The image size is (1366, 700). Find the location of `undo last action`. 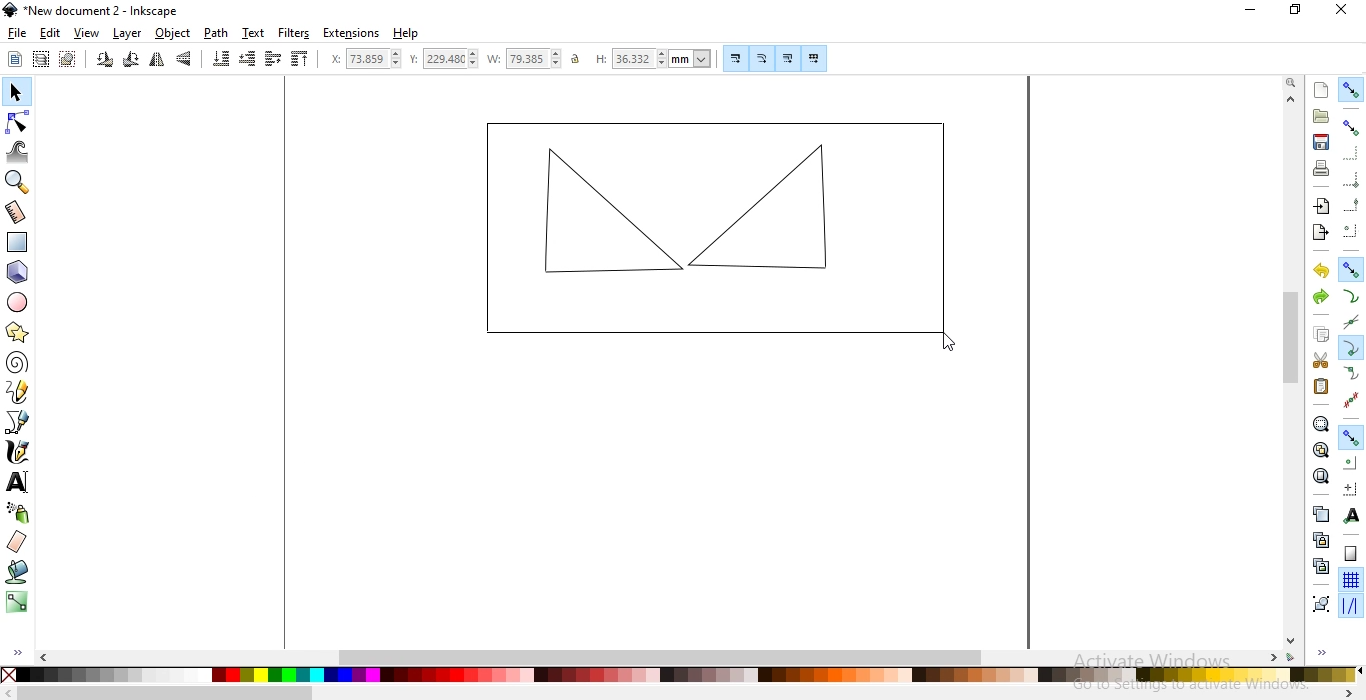

undo last action is located at coordinates (1323, 272).